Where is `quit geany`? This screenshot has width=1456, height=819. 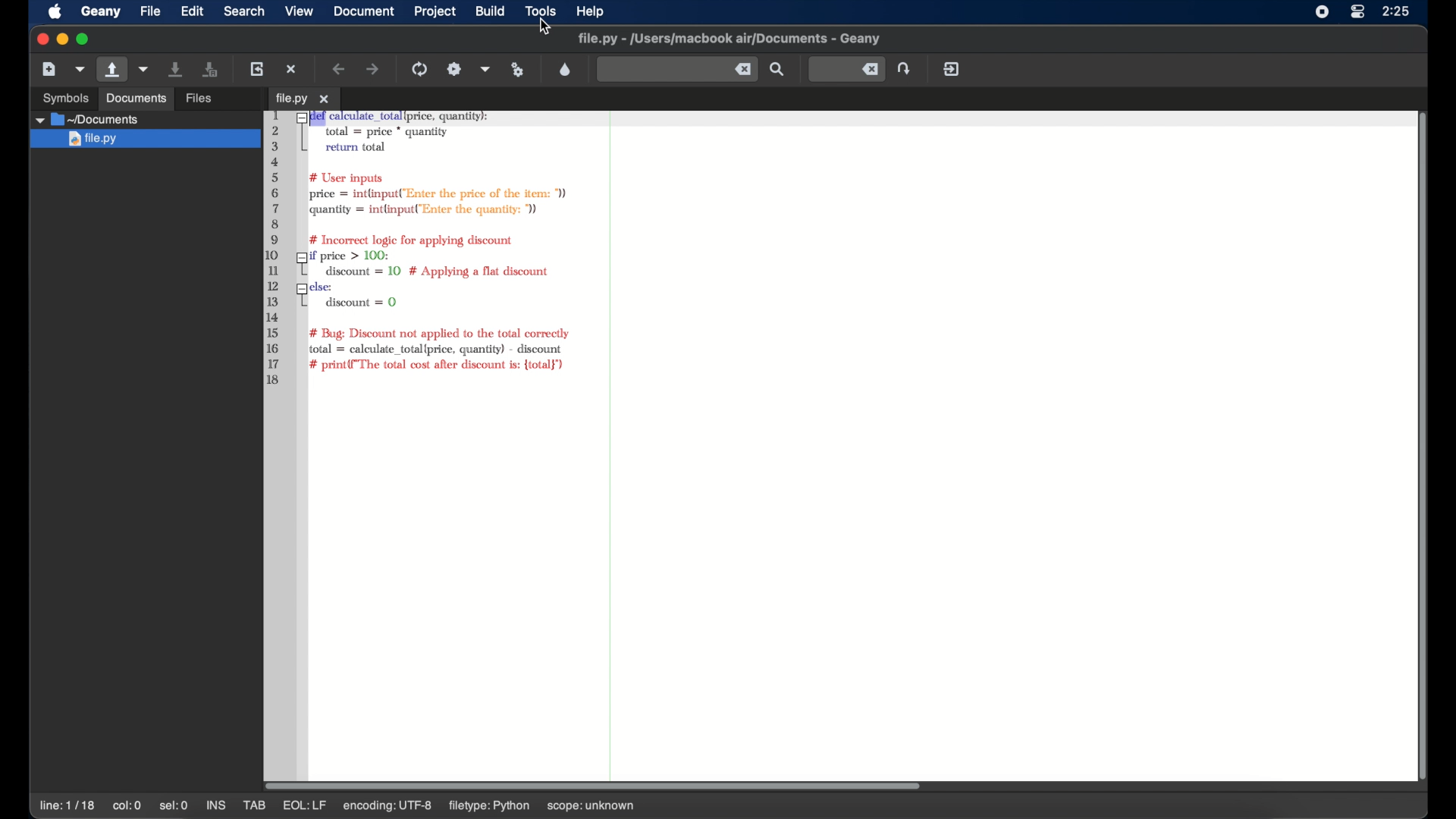
quit geany is located at coordinates (952, 69).